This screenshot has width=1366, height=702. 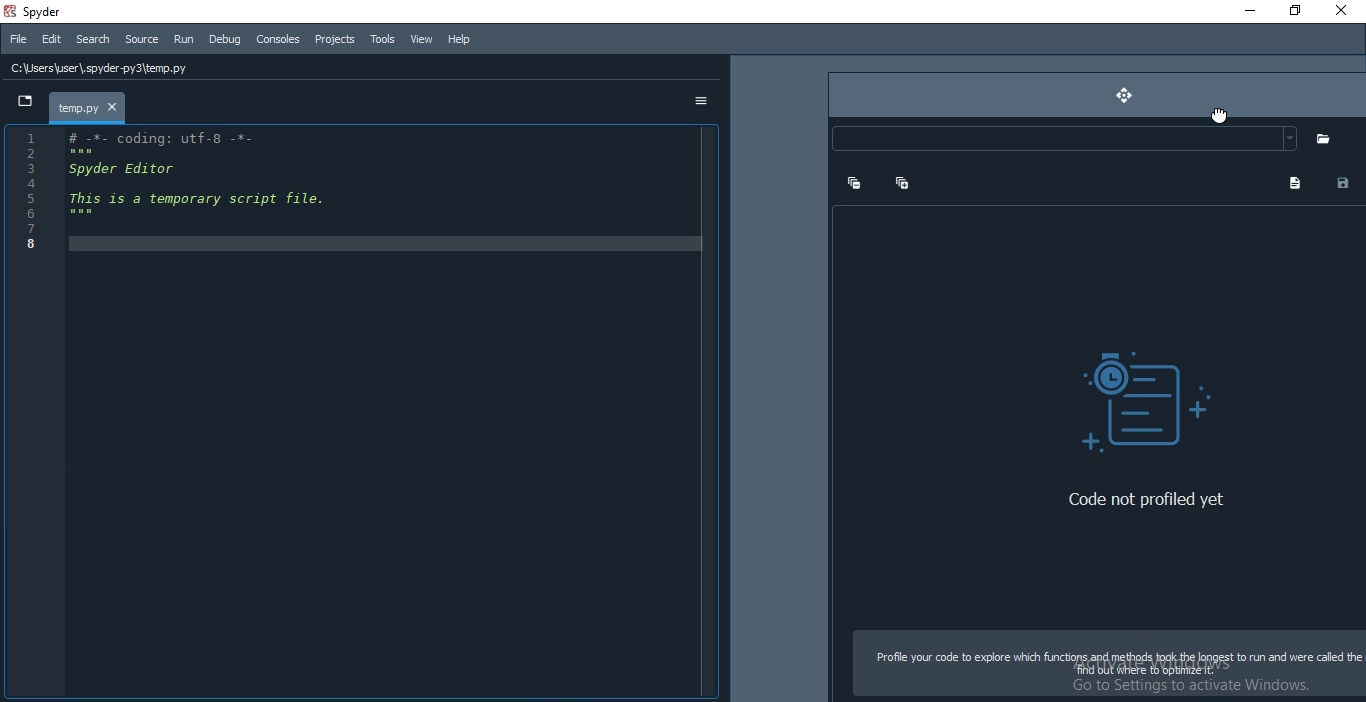 I want to click on file tab, so click(x=97, y=107).